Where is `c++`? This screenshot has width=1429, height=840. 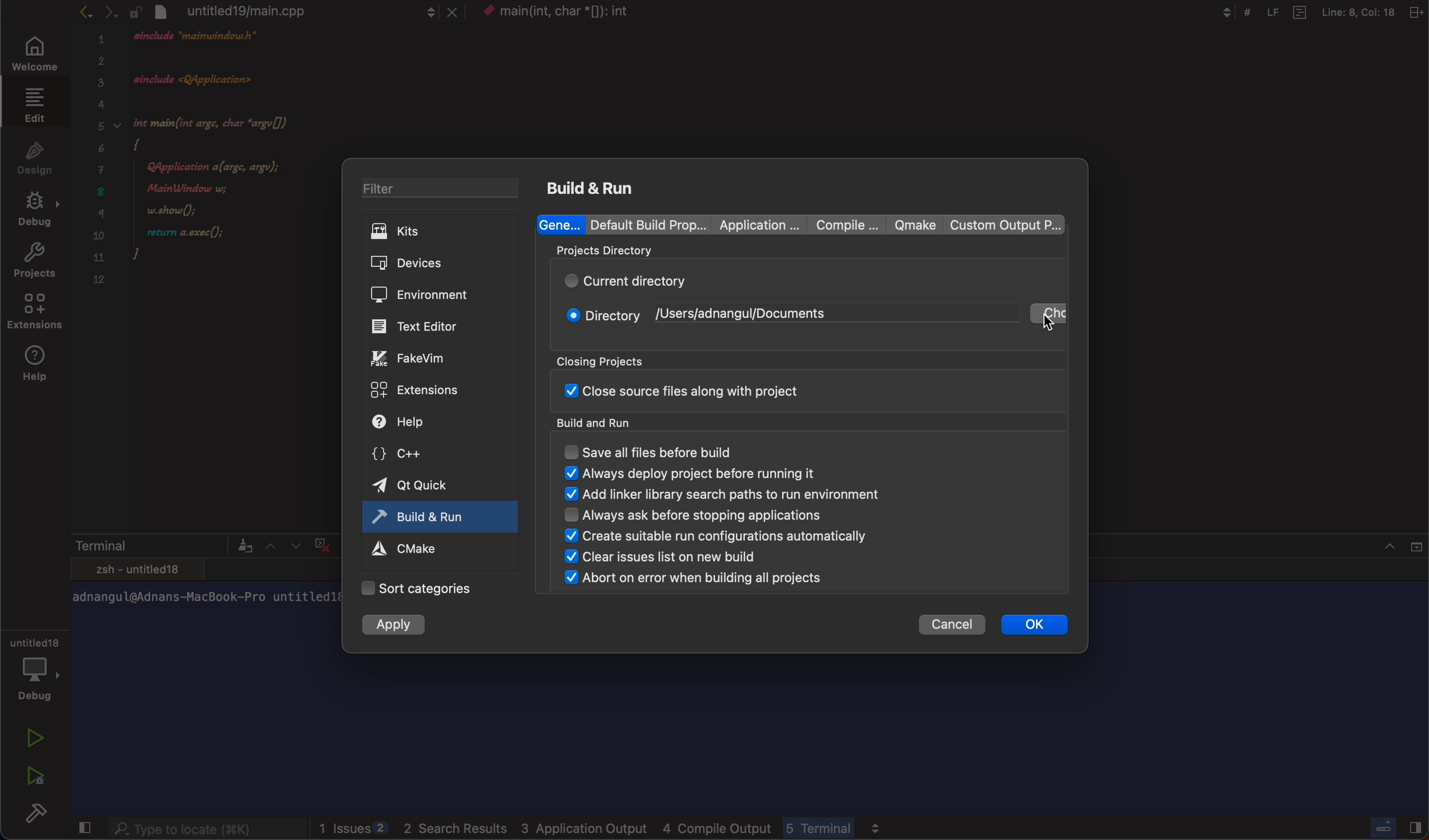
c++ is located at coordinates (421, 453).